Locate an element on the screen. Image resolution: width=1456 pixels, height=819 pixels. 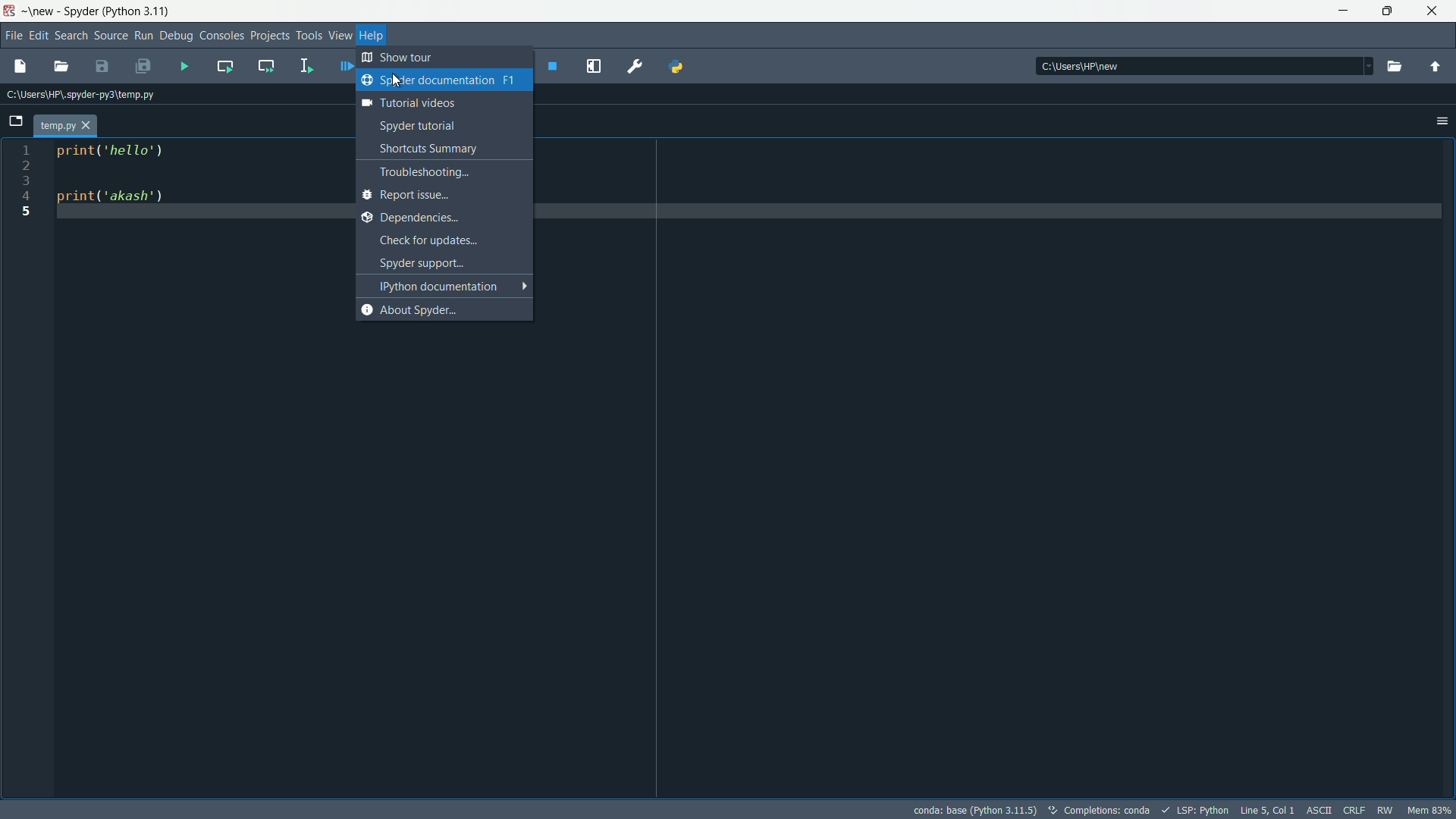
maximize current pane is located at coordinates (594, 66).